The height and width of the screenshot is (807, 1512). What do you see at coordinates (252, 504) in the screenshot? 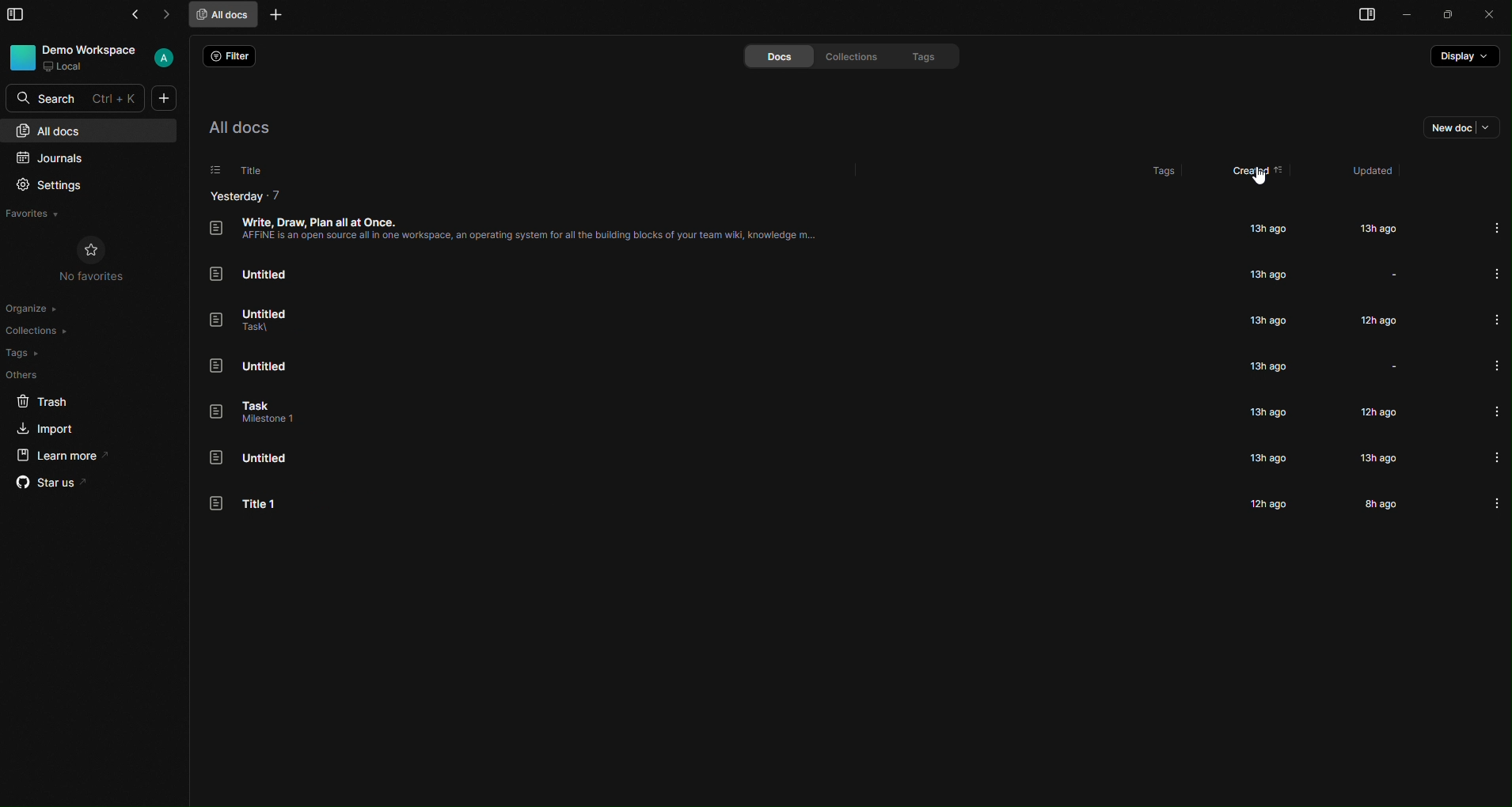
I see `Title 1` at bounding box center [252, 504].